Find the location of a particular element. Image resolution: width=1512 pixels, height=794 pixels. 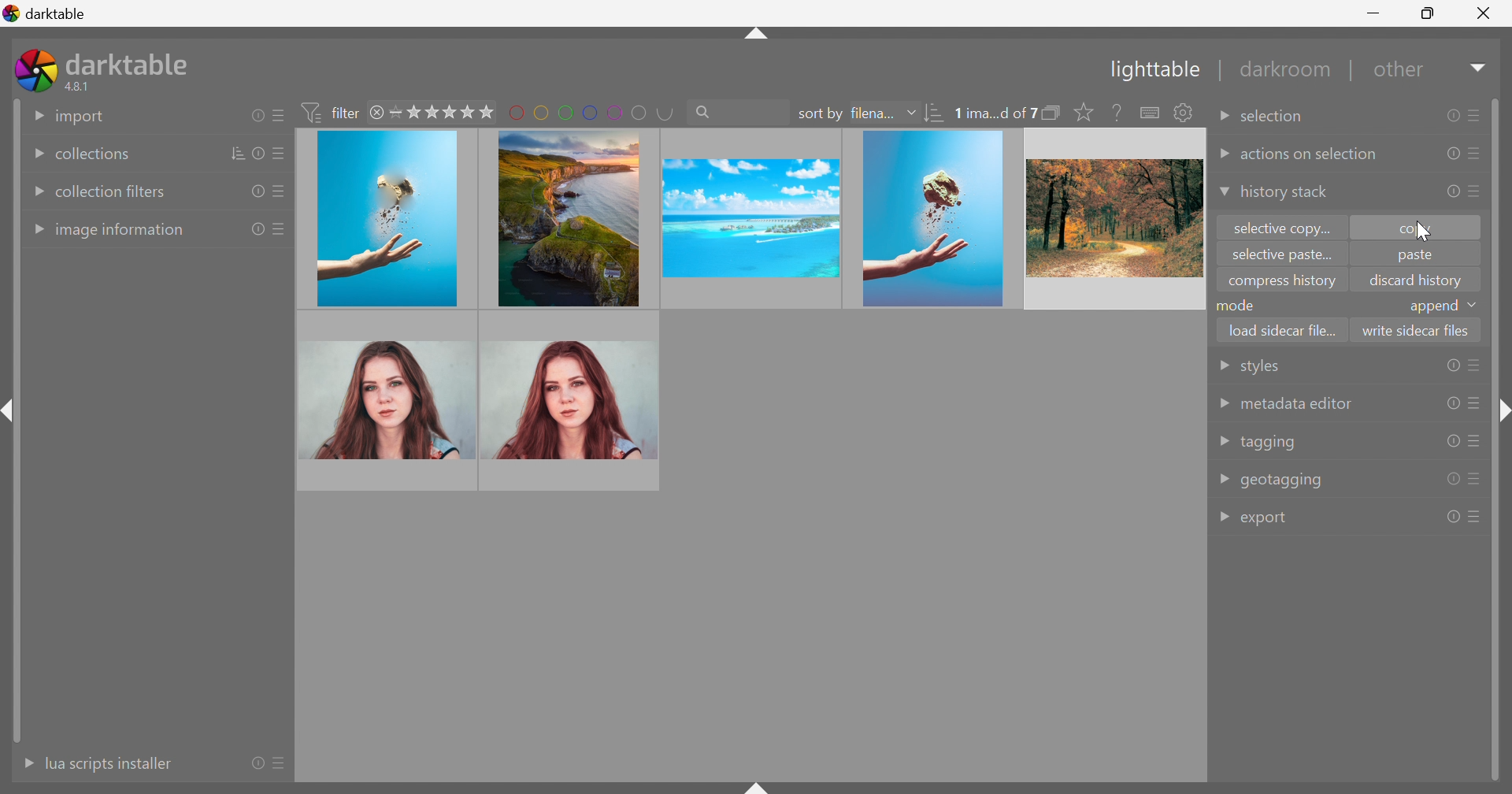

image is located at coordinates (748, 218).